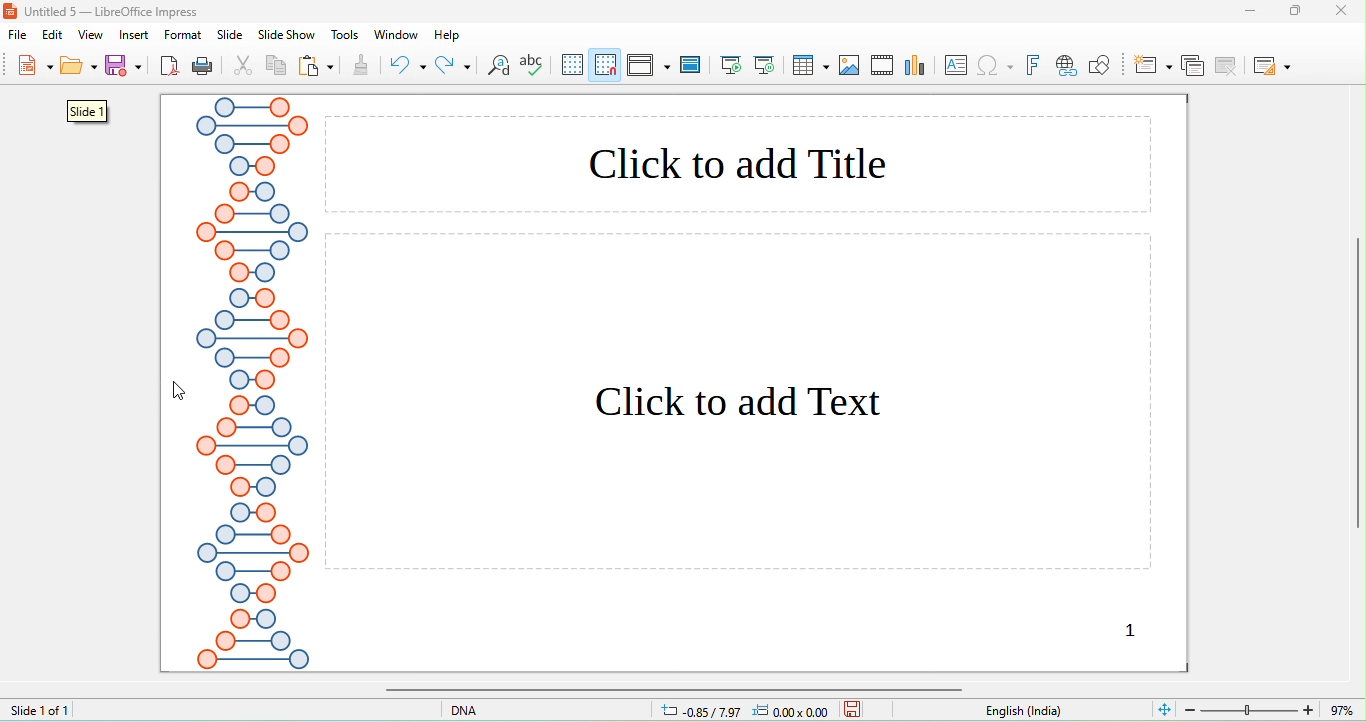 This screenshot has width=1366, height=722. What do you see at coordinates (918, 66) in the screenshot?
I see `chart` at bounding box center [918, 66].